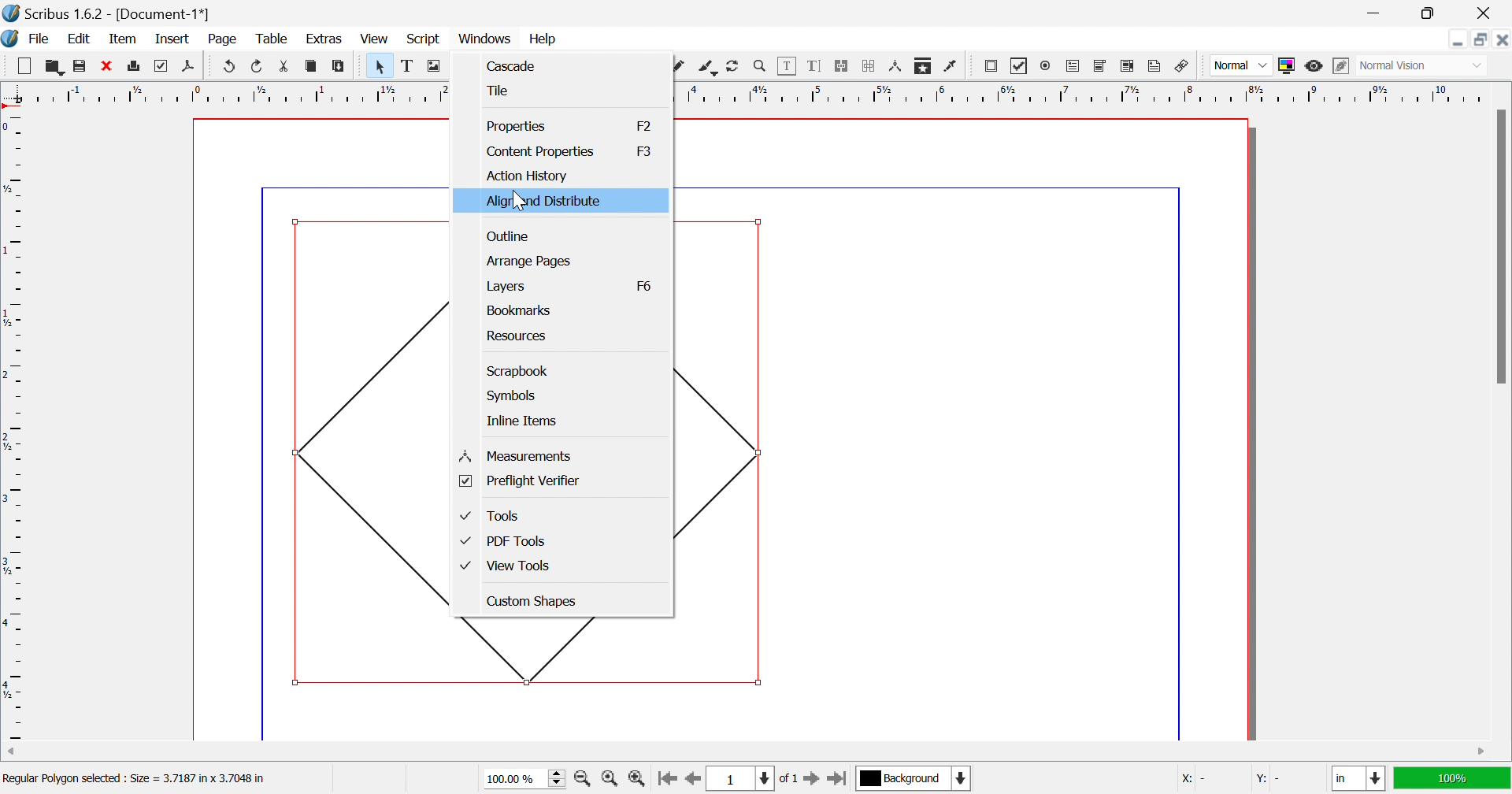 This screenshot has width=1512, height=794. What do you see at coordinates (491, 516) in the screenshot?
I see `Tools` at bounding box center [491, 516].